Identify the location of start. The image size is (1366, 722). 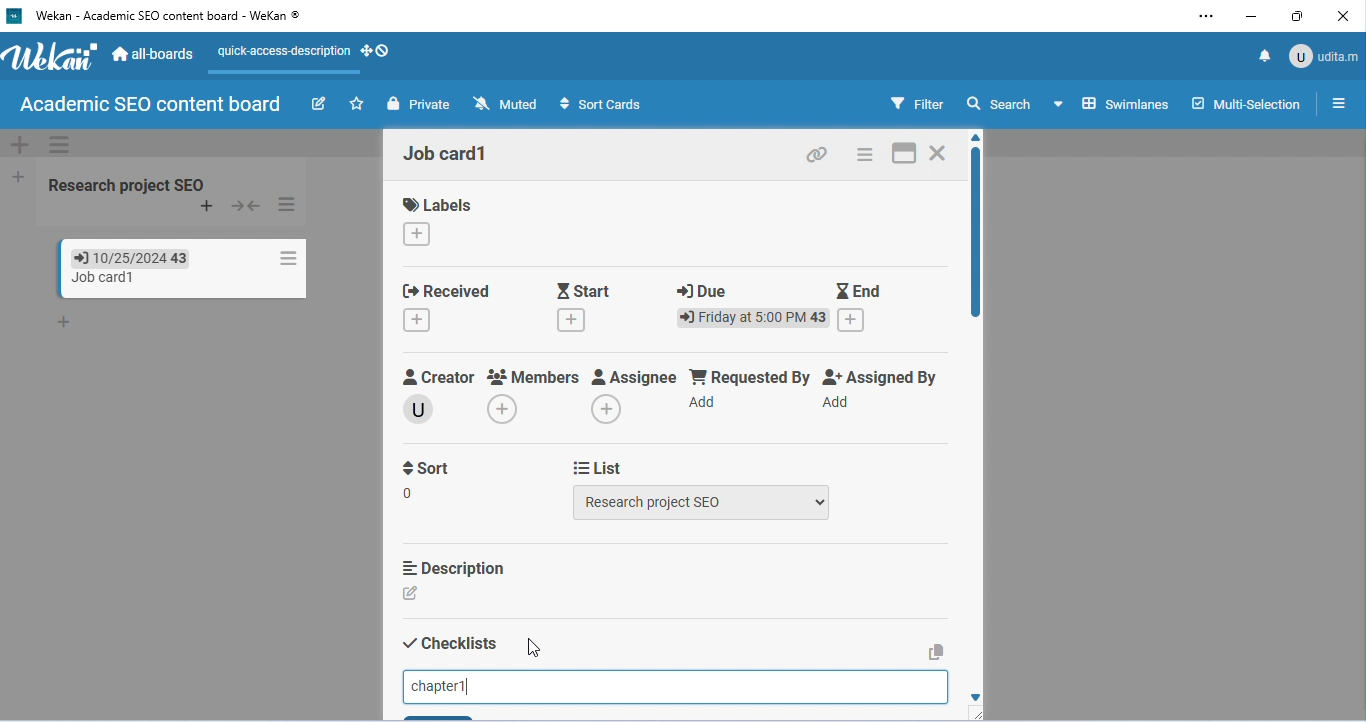
(587, 289).